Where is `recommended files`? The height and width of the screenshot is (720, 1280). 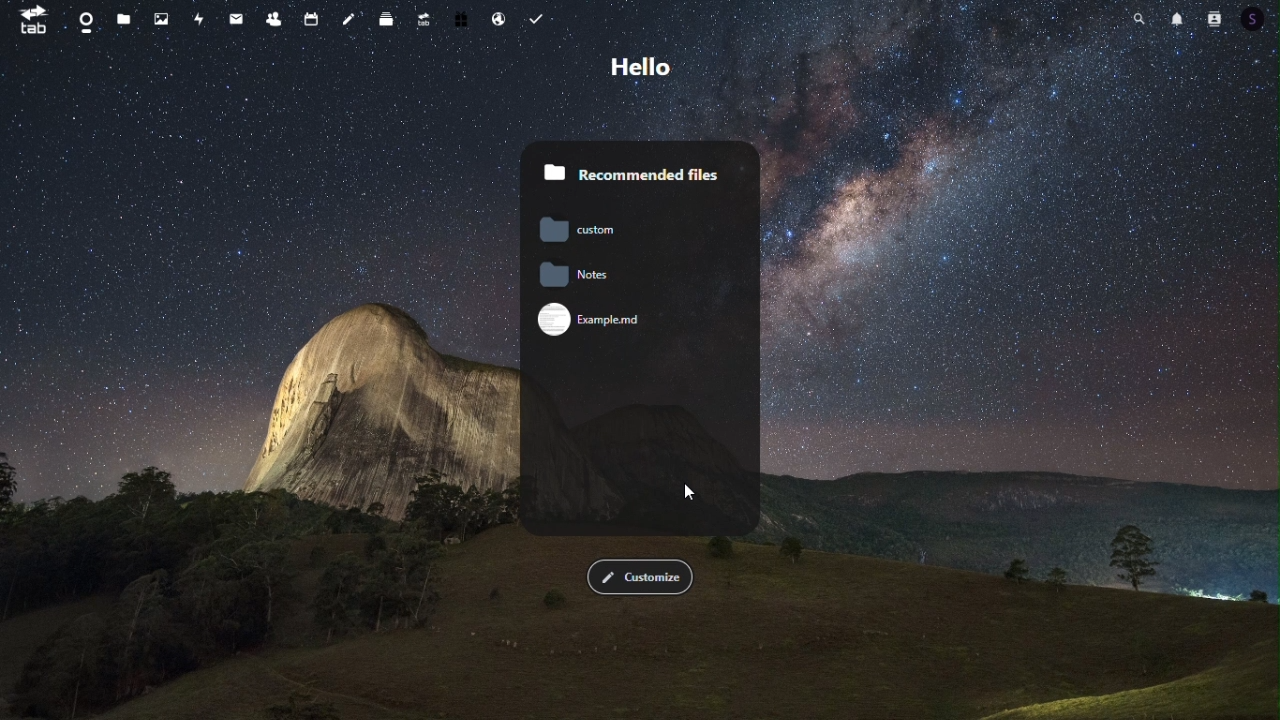 recommended files is located at coordinates (641, 162).